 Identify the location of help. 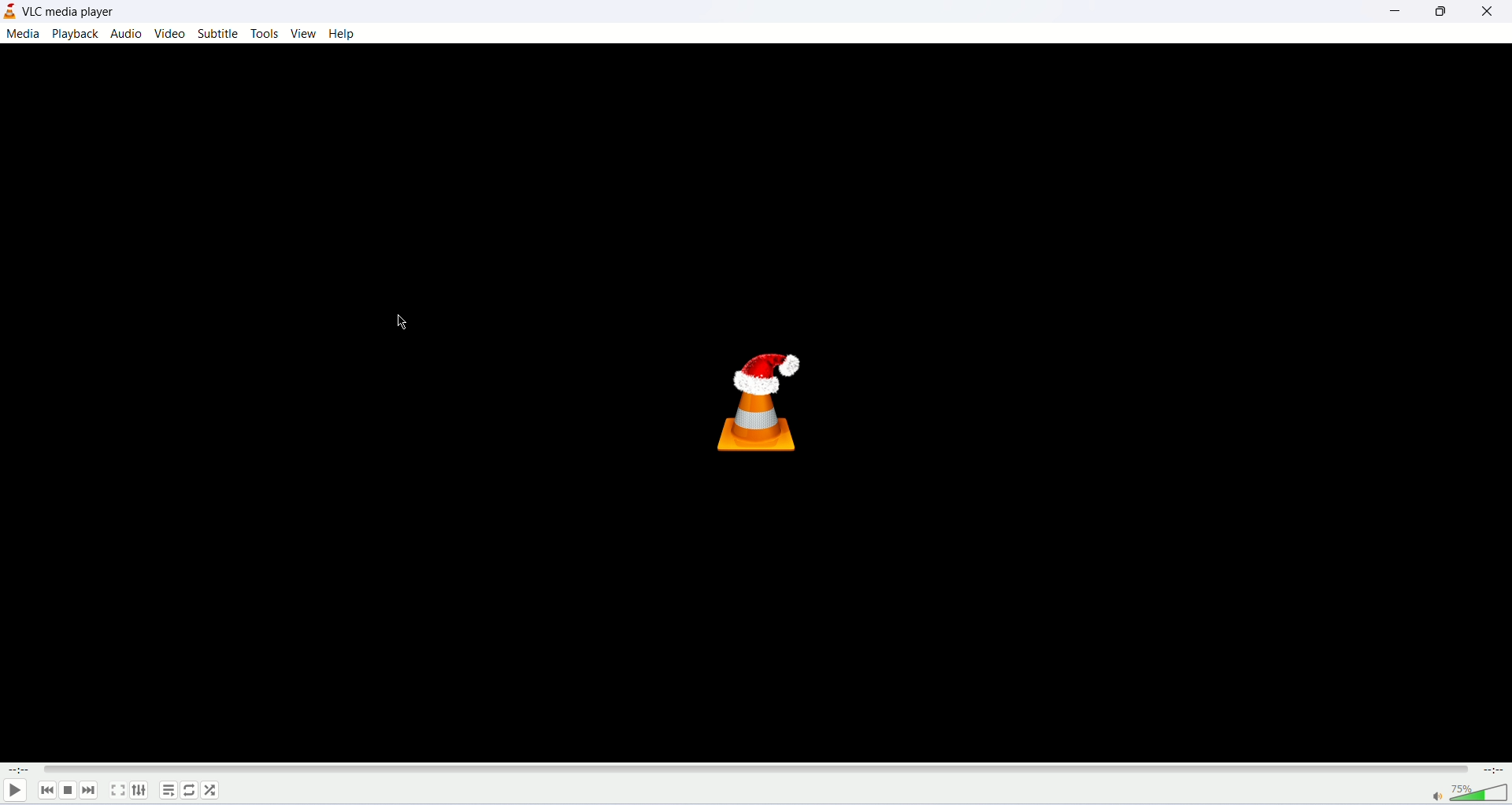
(343, 34).